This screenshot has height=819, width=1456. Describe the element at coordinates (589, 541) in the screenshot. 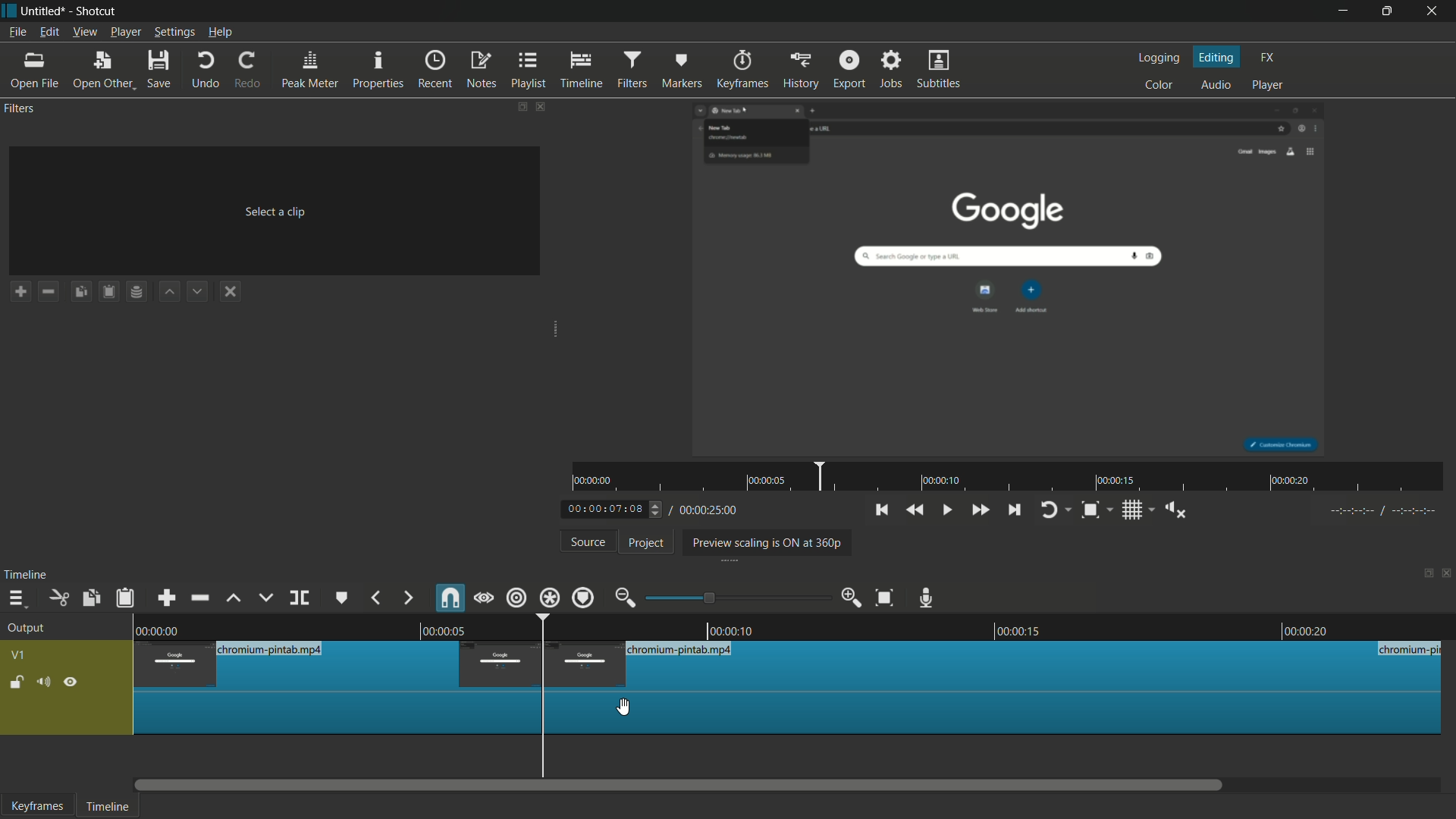

I see `source` at that location.